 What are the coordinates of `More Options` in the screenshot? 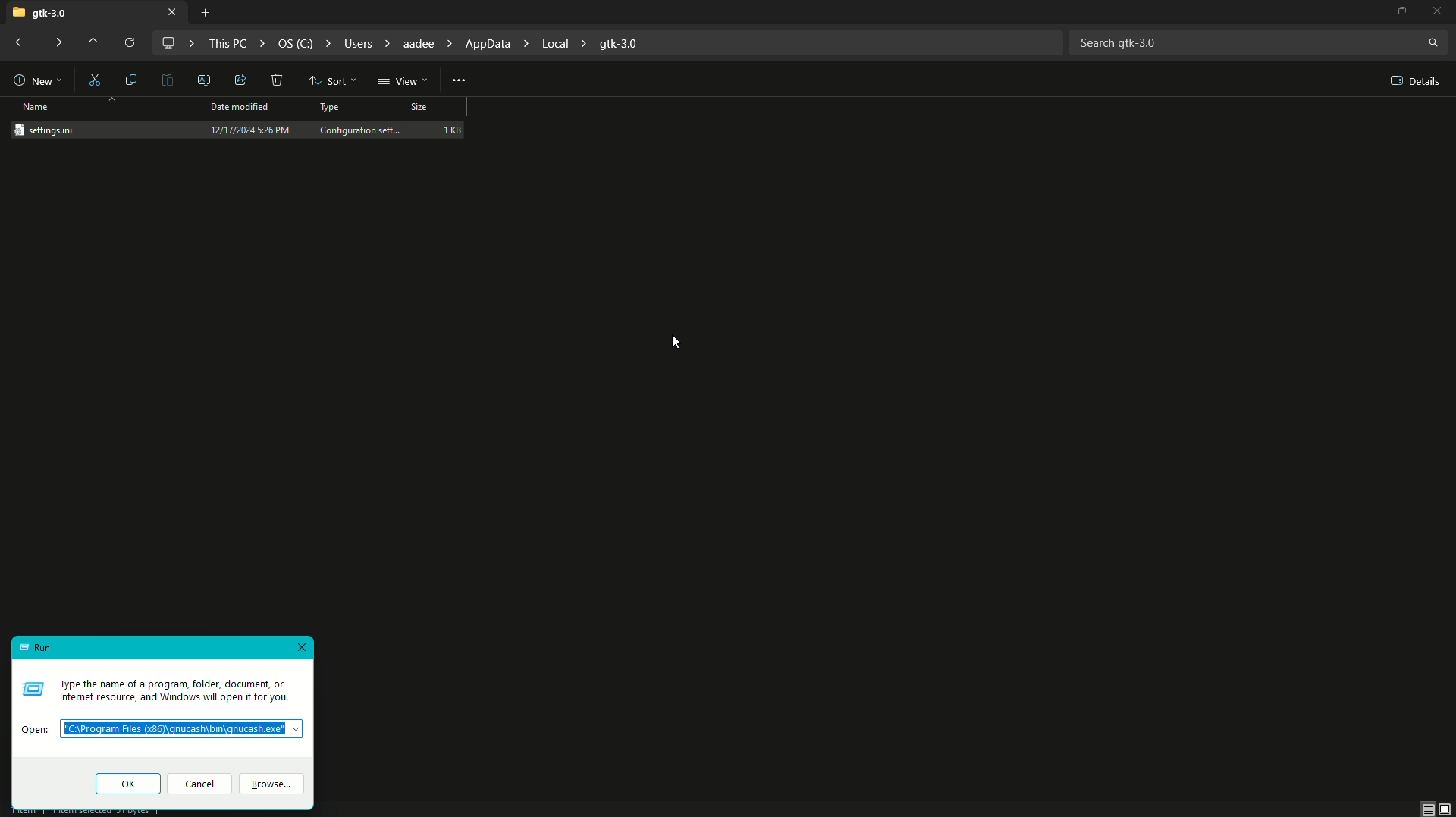 It's located at (460, 79).